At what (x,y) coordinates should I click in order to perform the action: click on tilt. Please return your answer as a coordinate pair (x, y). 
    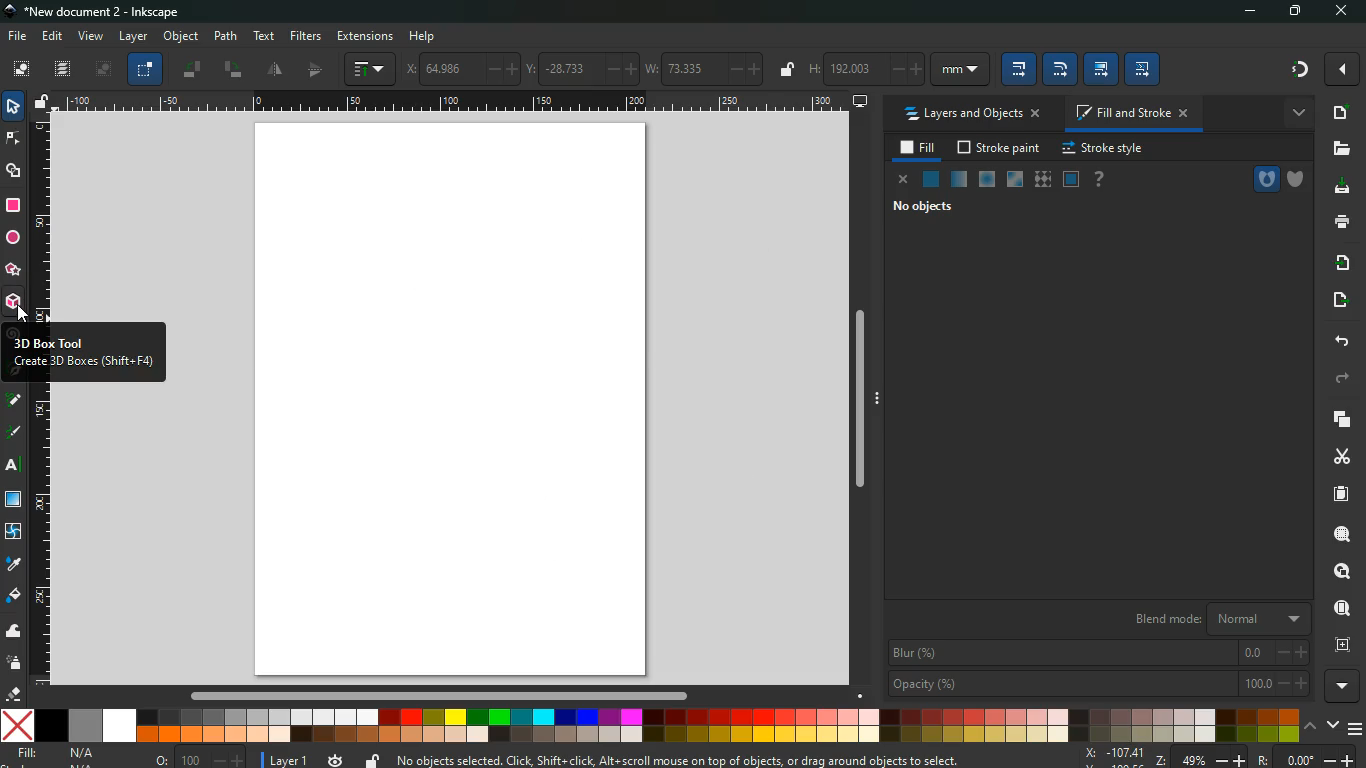
    Looking at the image, I should click on (234, 69).